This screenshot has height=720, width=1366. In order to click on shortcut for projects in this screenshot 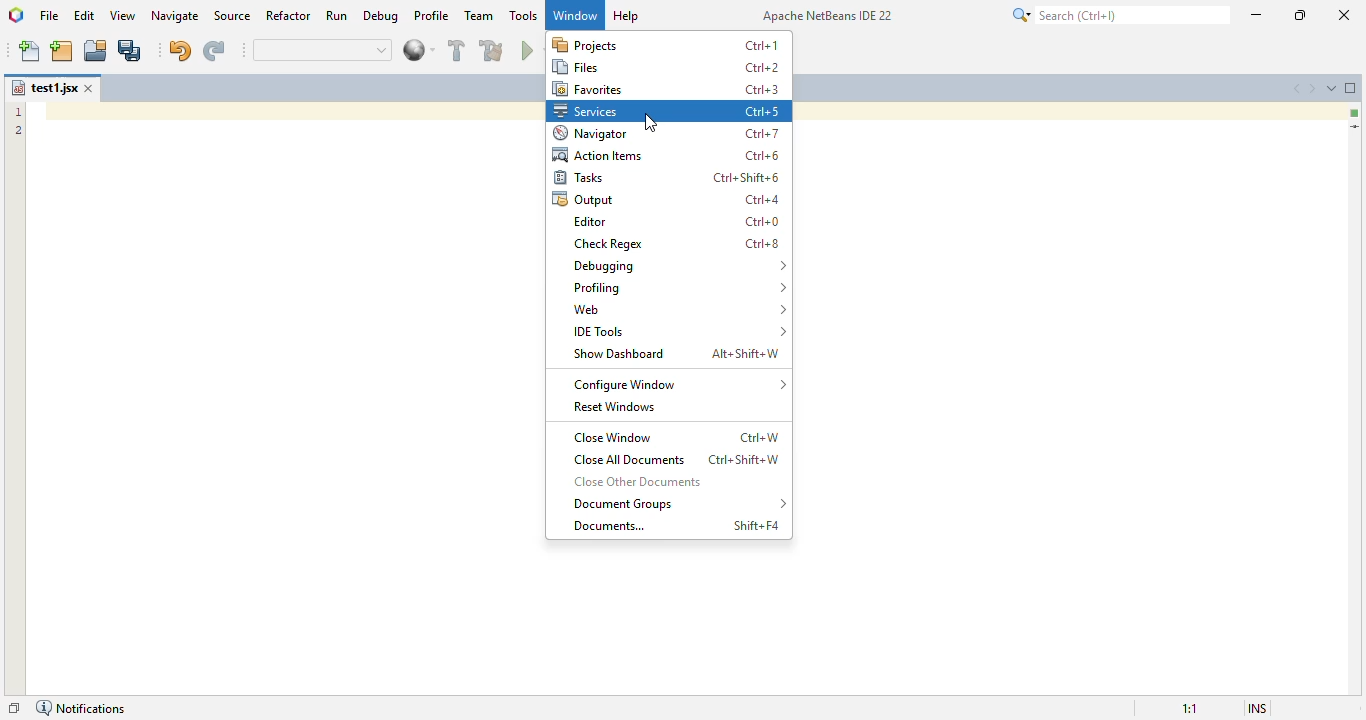, I will do `click(762, 46)`.